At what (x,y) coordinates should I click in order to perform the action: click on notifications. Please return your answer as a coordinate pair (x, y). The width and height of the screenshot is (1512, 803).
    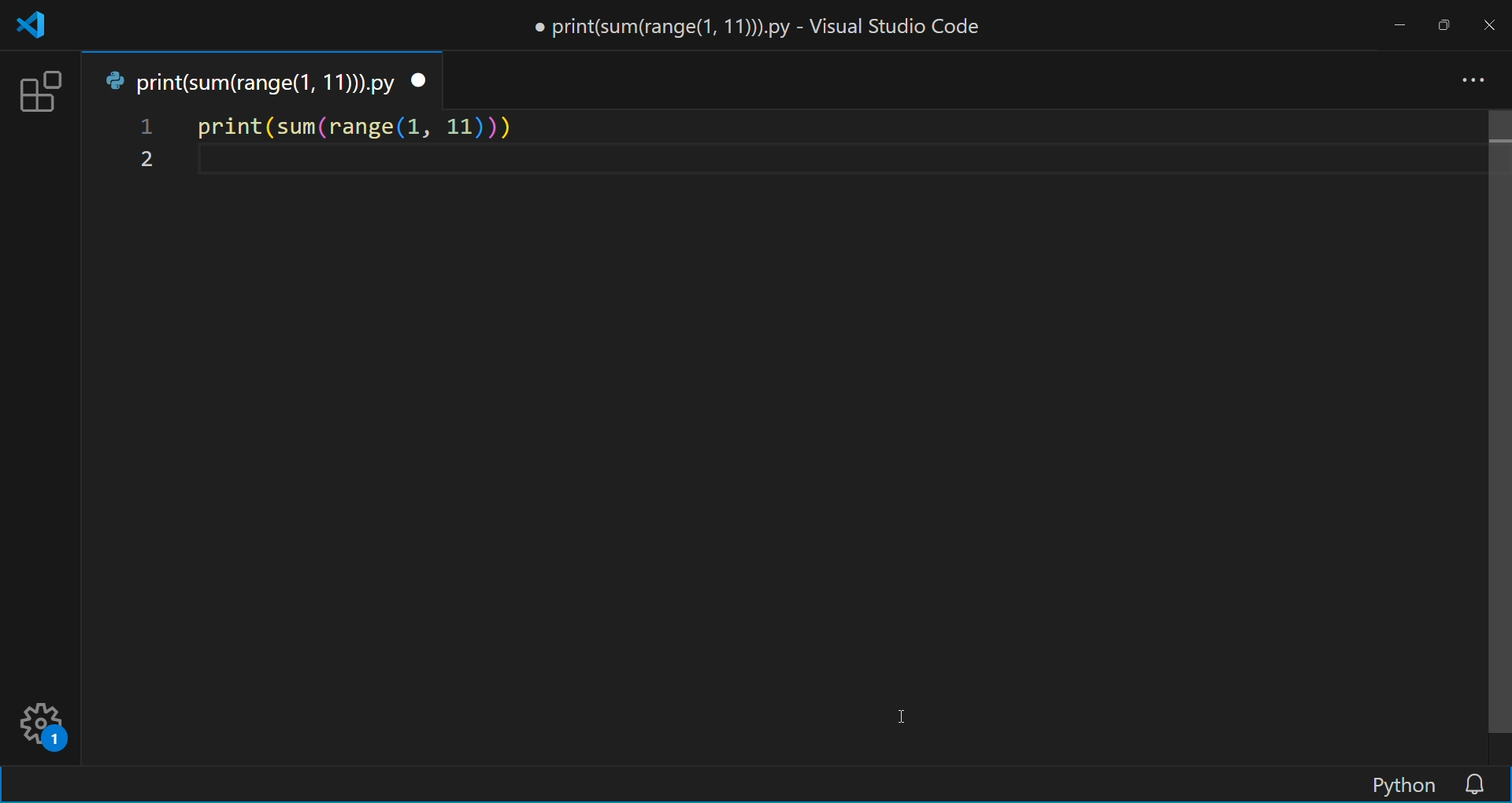
    Looking at the image, I should click on (1484, 783).